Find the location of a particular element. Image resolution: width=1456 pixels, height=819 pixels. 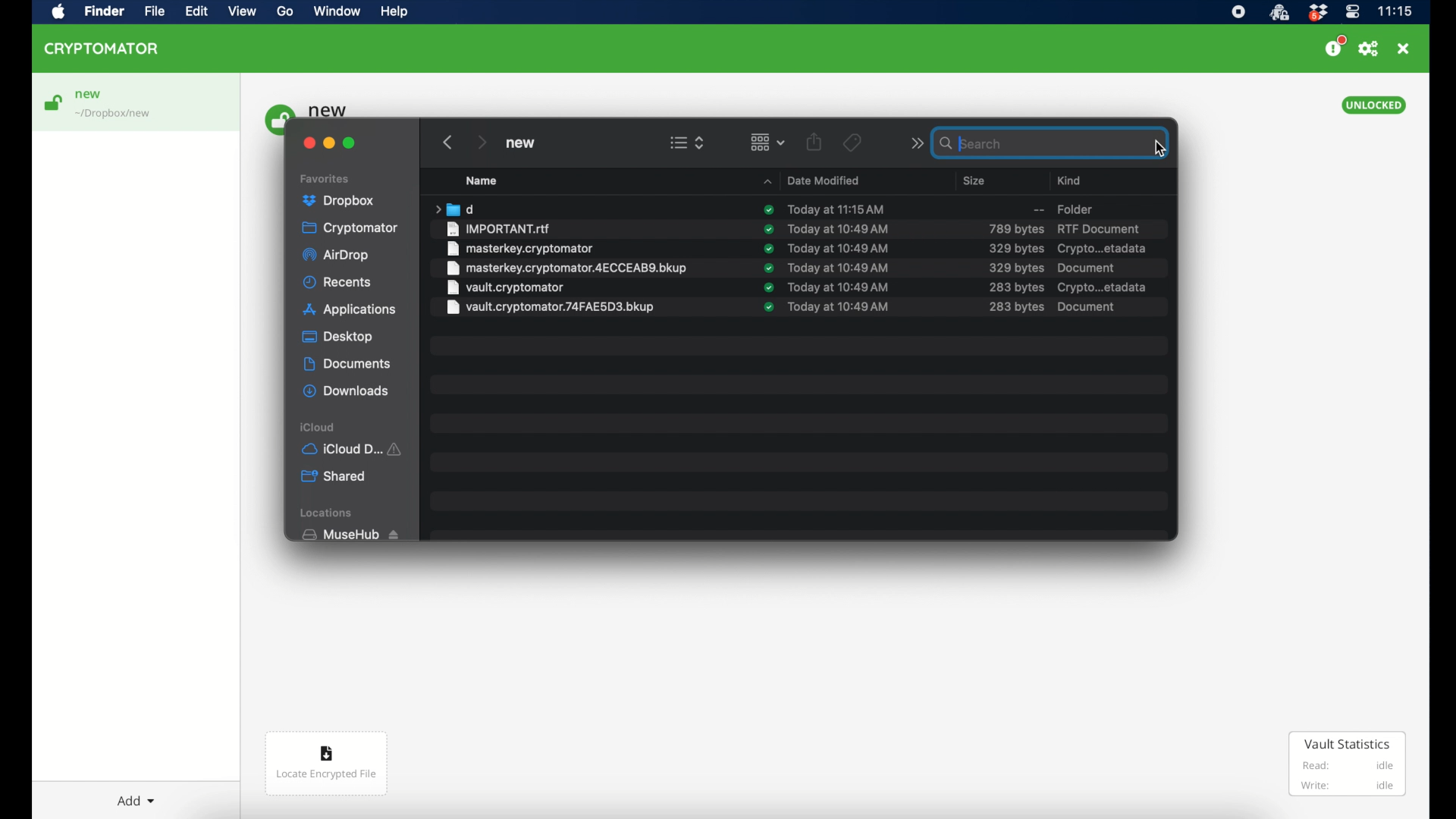

sync is located at coordinates (767, 210).